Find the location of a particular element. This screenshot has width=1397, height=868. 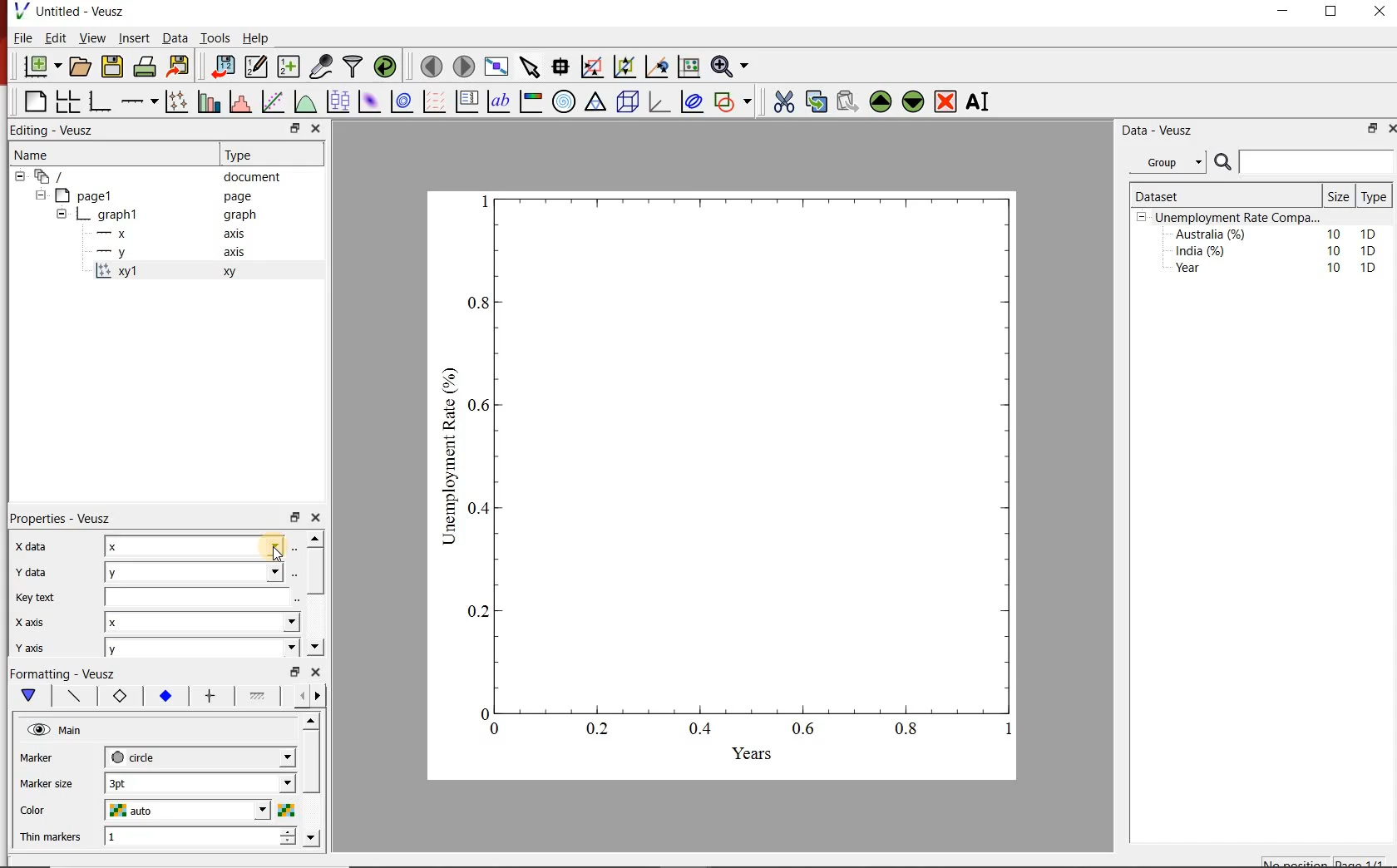

y is located at coordinates (198, 649).